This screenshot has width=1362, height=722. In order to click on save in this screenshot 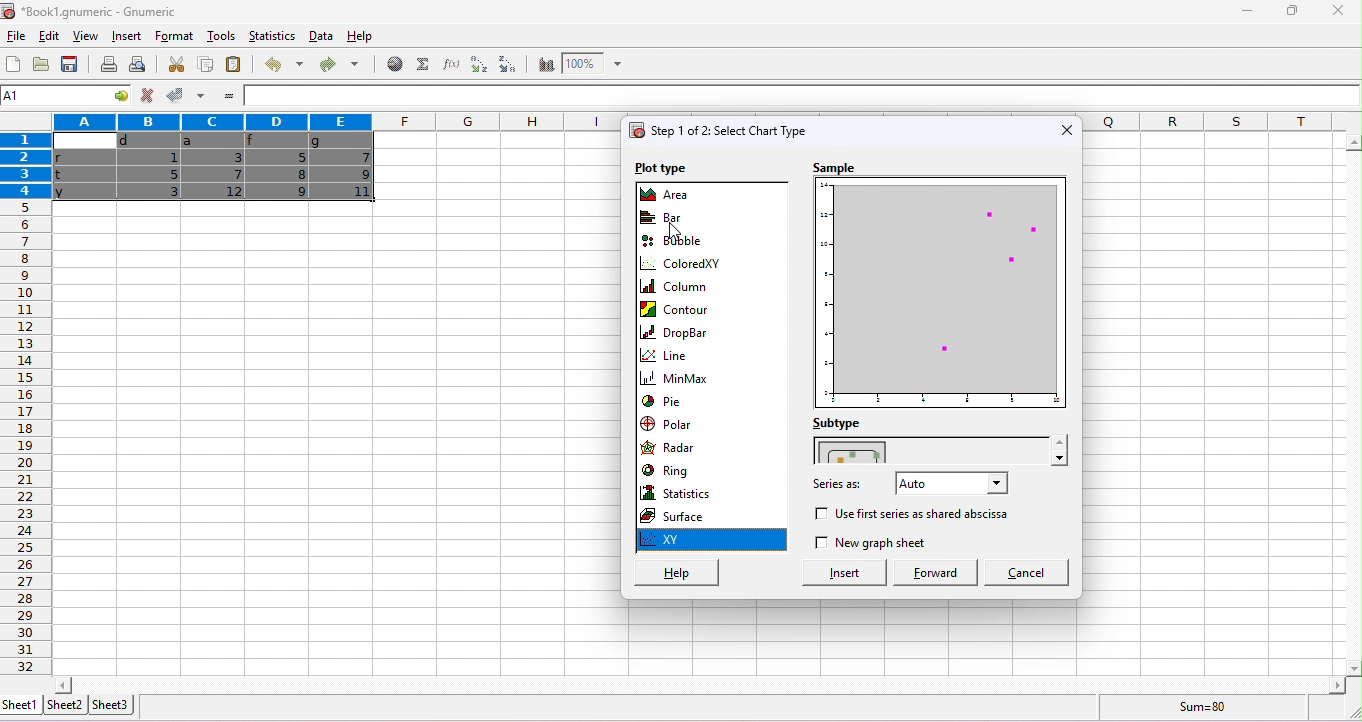, I will do `click(70, 63)`.